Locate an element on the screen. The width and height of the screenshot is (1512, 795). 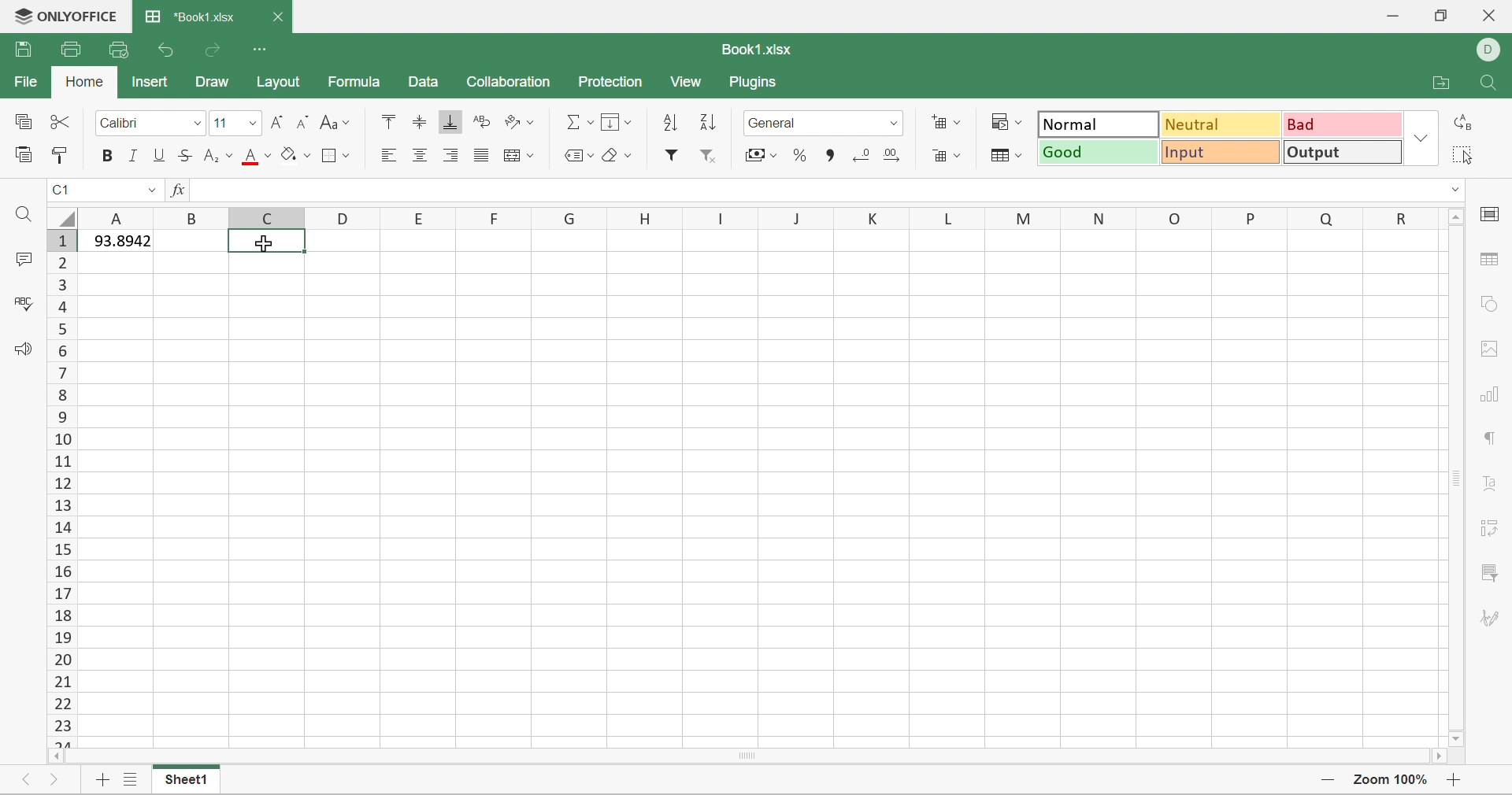
Scroll Up is located at coordinates (1455, 217).